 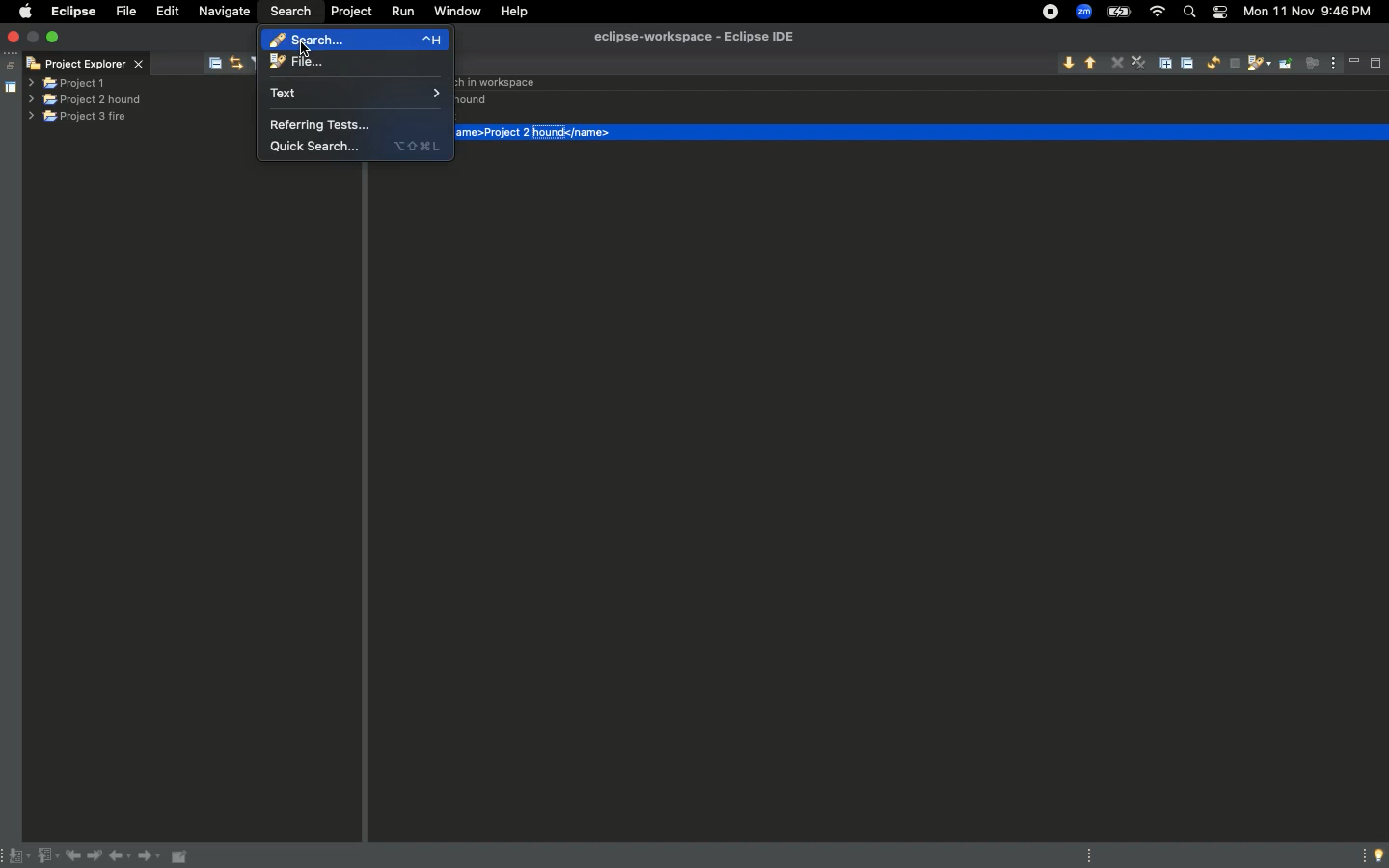 What do you see at coordinates (75, 118) in the screenshot?
I see `Project 3 fire` at bounding box center [75, 118].